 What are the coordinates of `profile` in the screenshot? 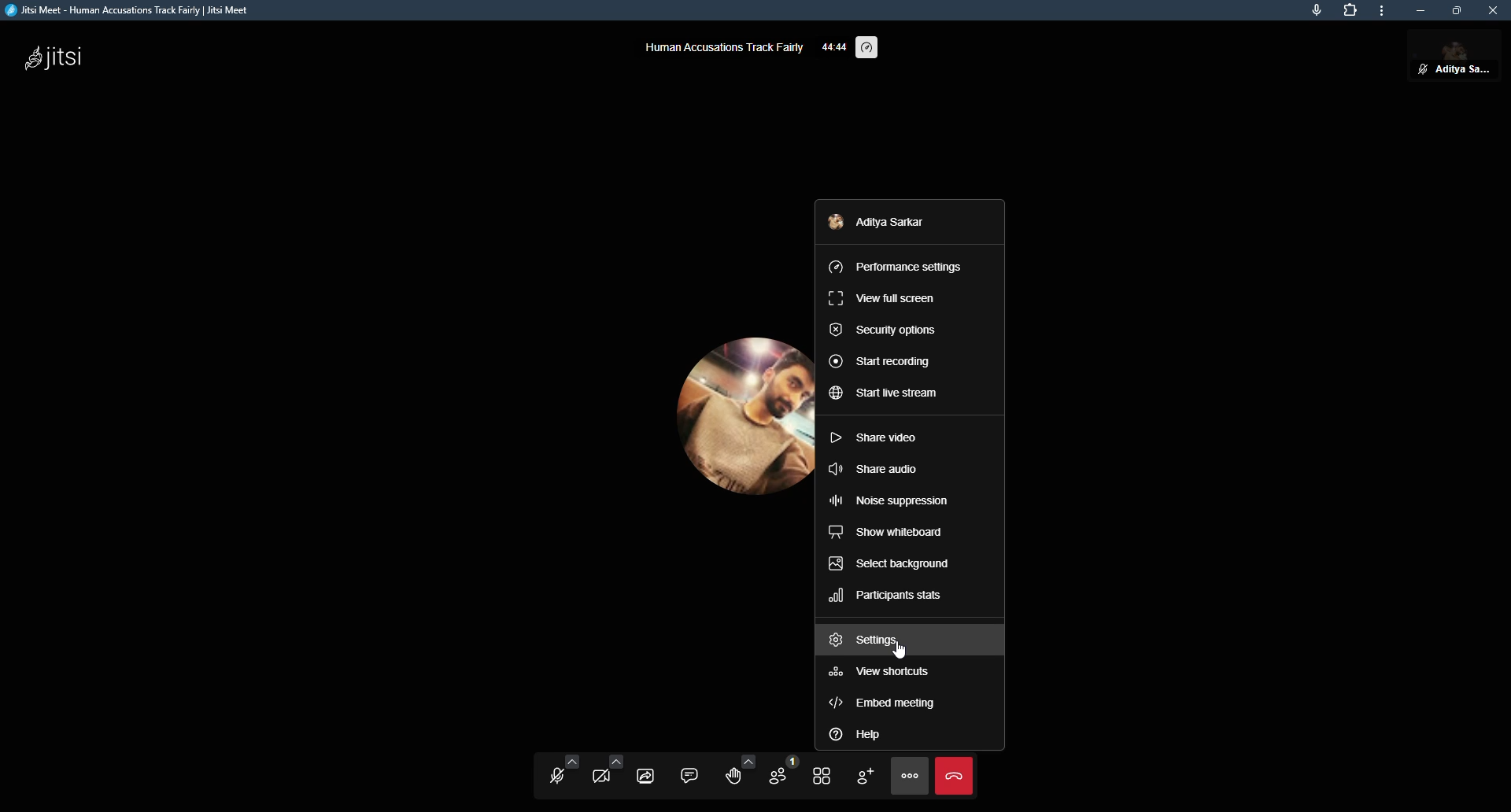 It's located at (1465, 56).